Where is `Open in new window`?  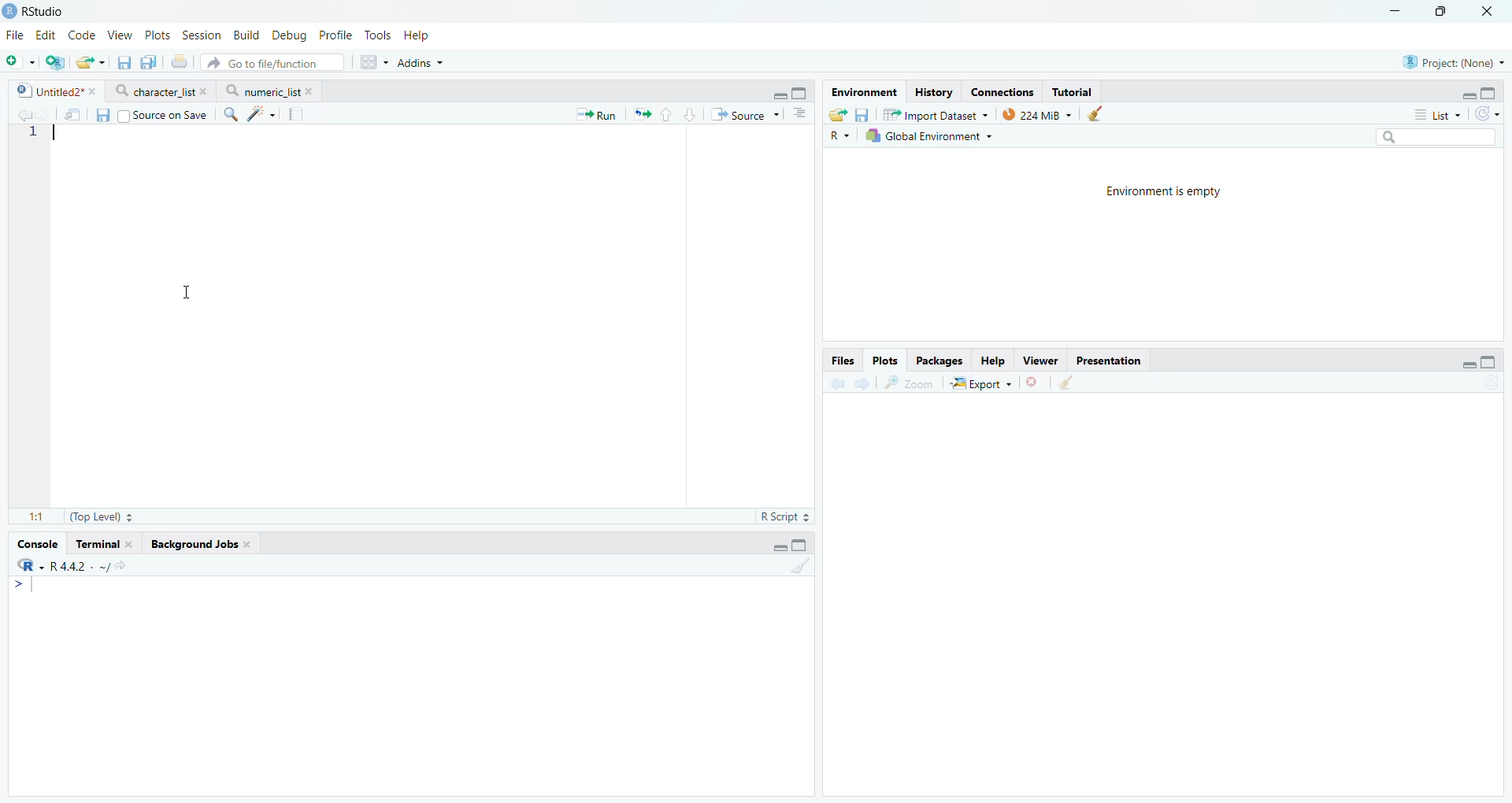 Open in new window is located at coordinates (74, 113).